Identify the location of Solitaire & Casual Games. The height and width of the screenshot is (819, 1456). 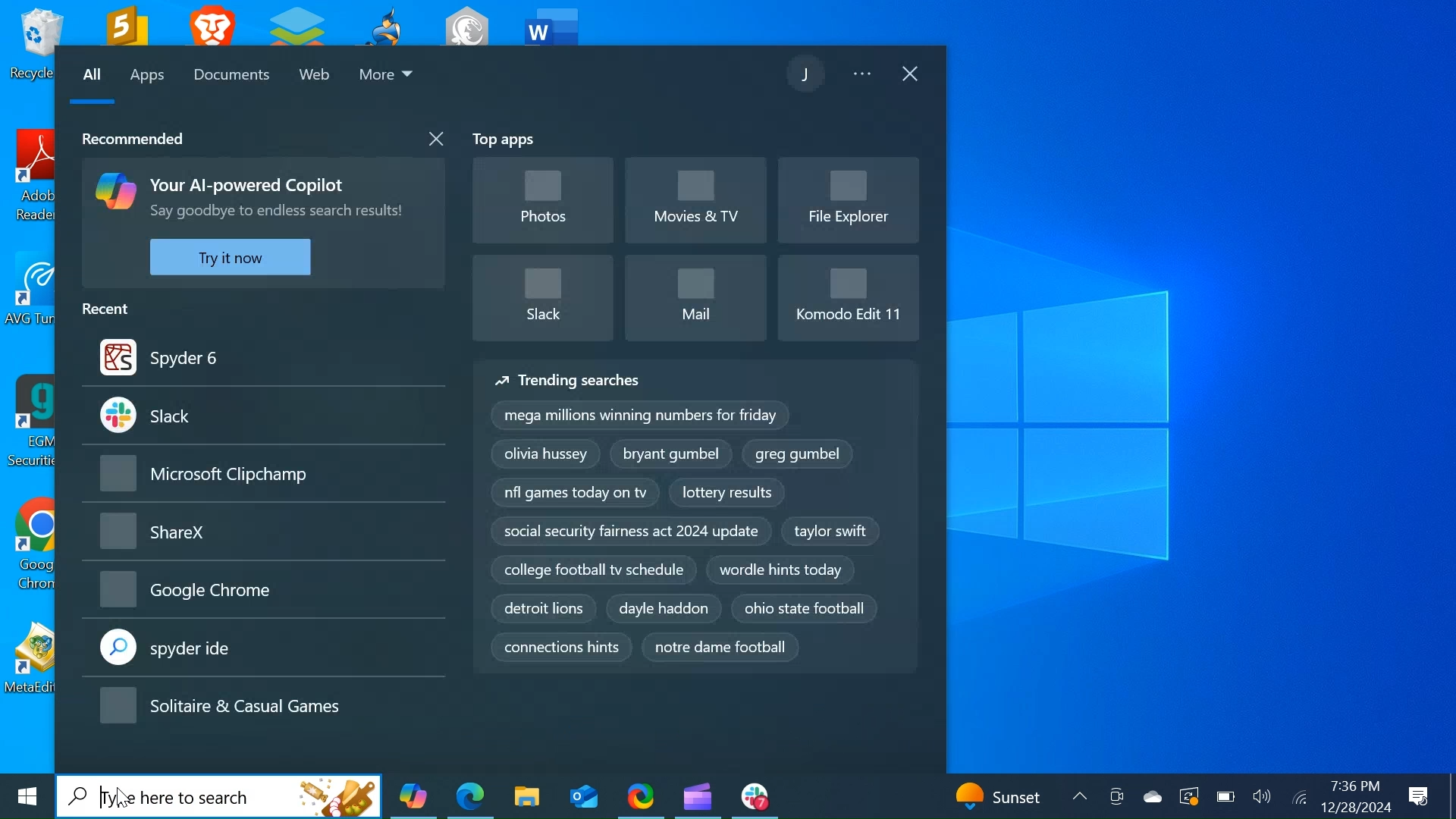
(256, 708).